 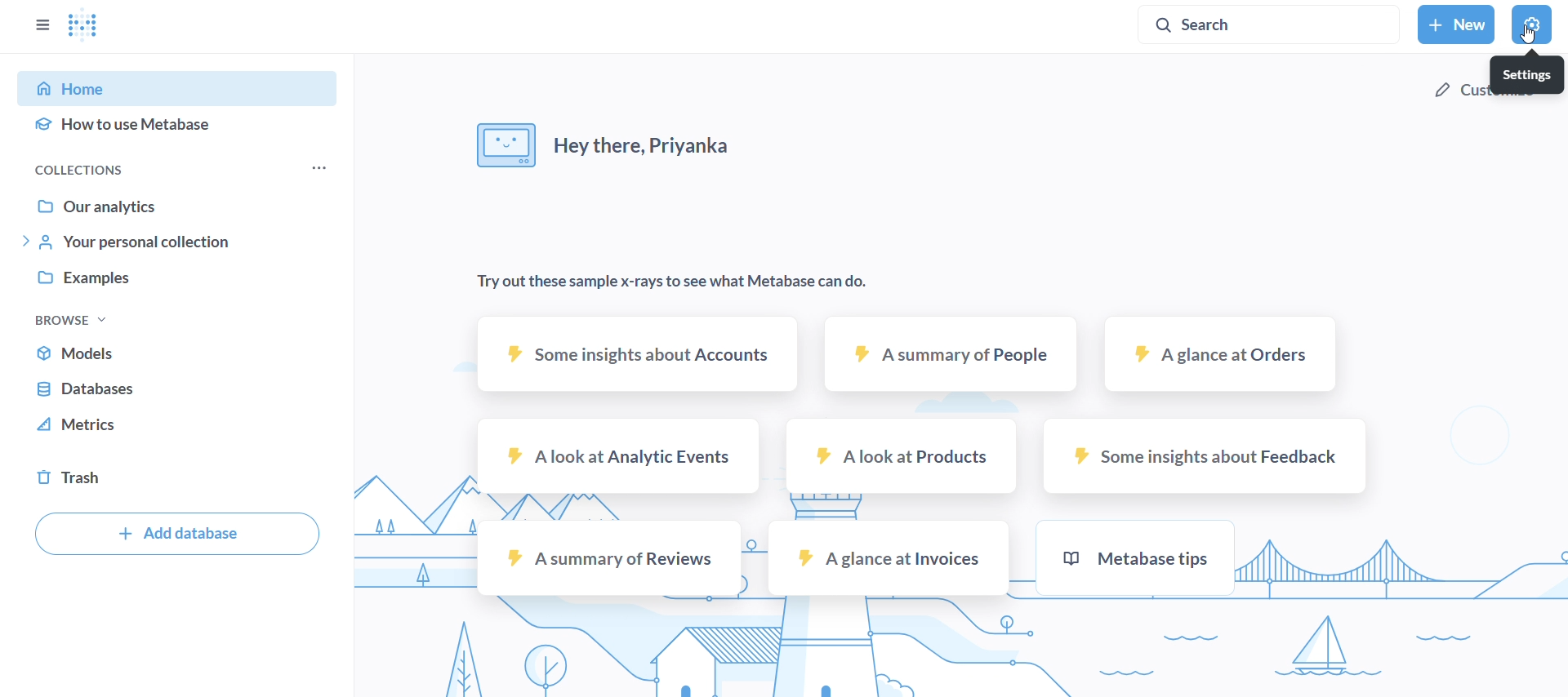 What do you see at coordinates (183, 478) in the screenshot?
I see `trash` at bounding box center [183, 478].